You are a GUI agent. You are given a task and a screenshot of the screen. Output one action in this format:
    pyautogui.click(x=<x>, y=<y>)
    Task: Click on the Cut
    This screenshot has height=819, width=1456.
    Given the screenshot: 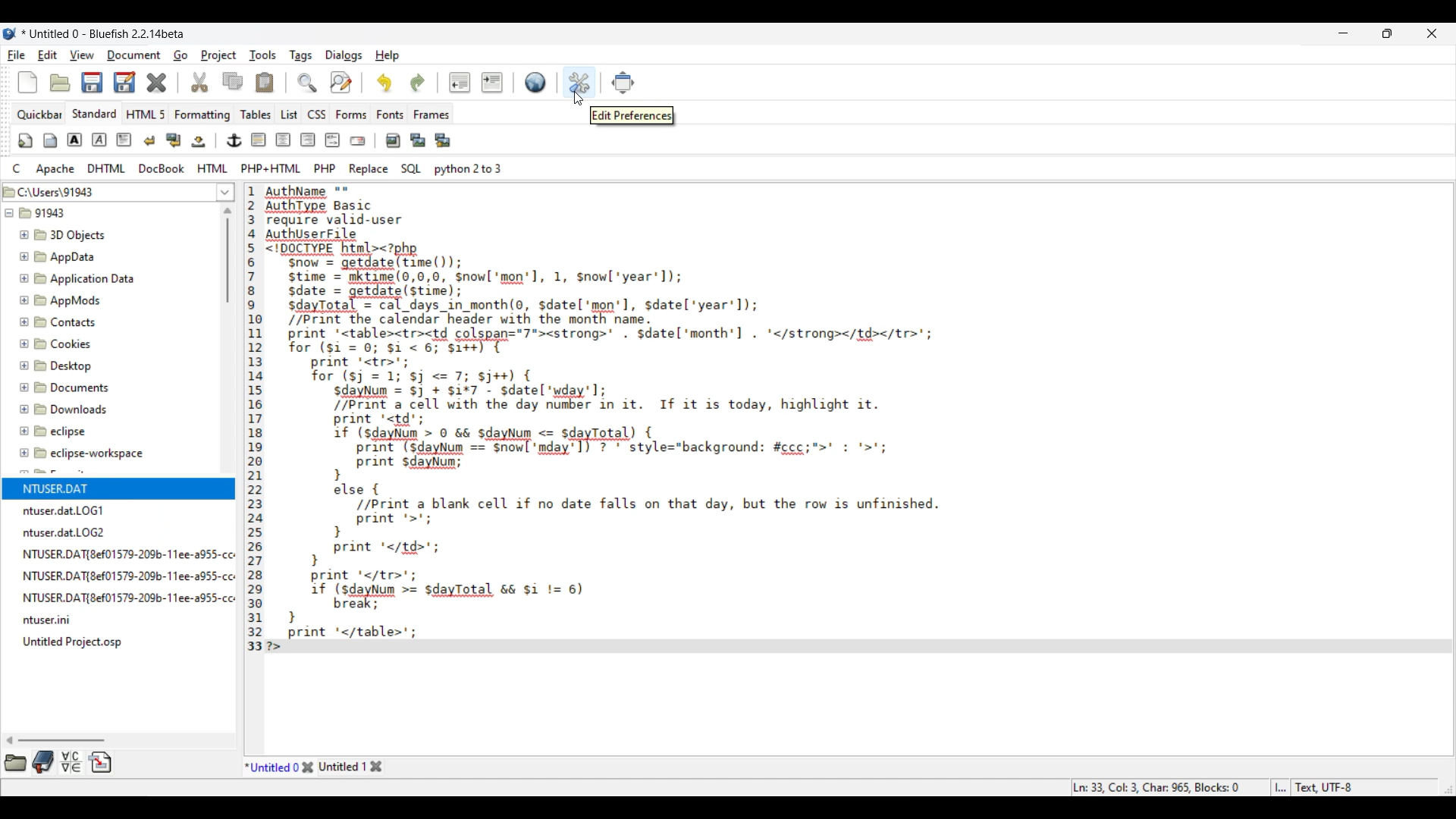 What is the action you would take?
    pyautogui.click(x=199, y=82)
    